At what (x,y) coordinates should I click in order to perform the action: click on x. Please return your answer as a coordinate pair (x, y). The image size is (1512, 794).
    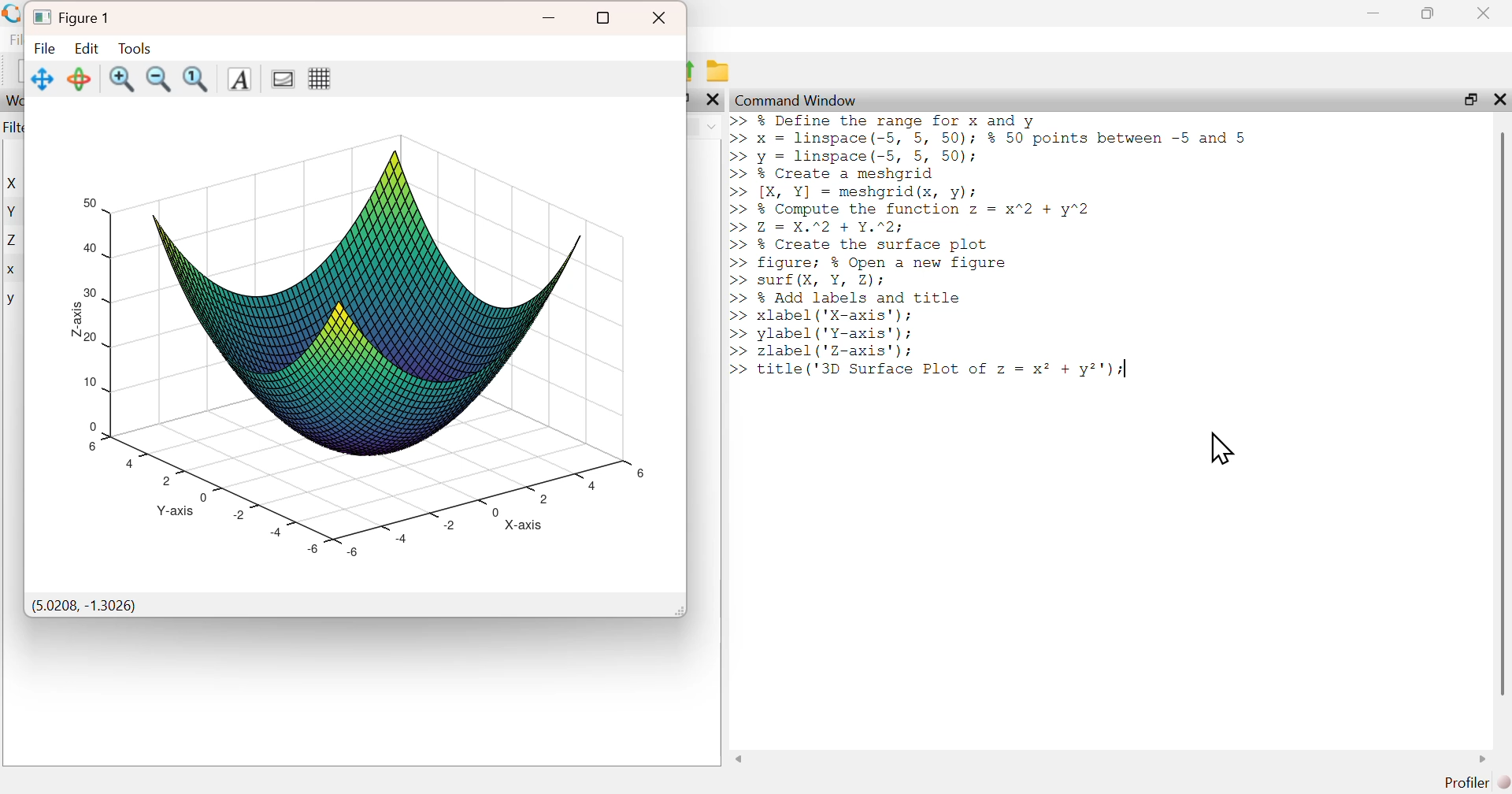
    Looking at the image, I should click on (13, 271).